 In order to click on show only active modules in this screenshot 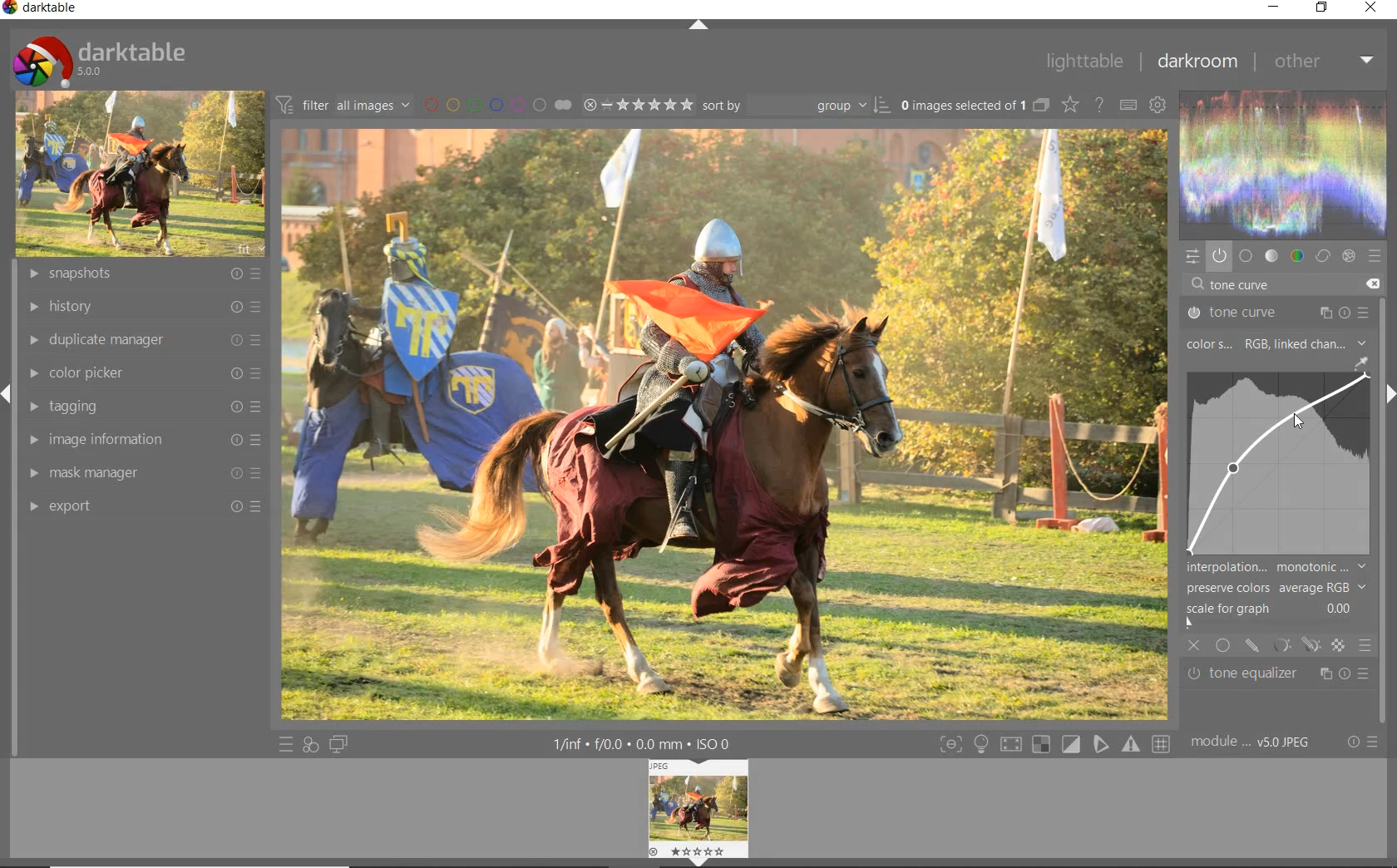, I will do `click(1219, 257)`.